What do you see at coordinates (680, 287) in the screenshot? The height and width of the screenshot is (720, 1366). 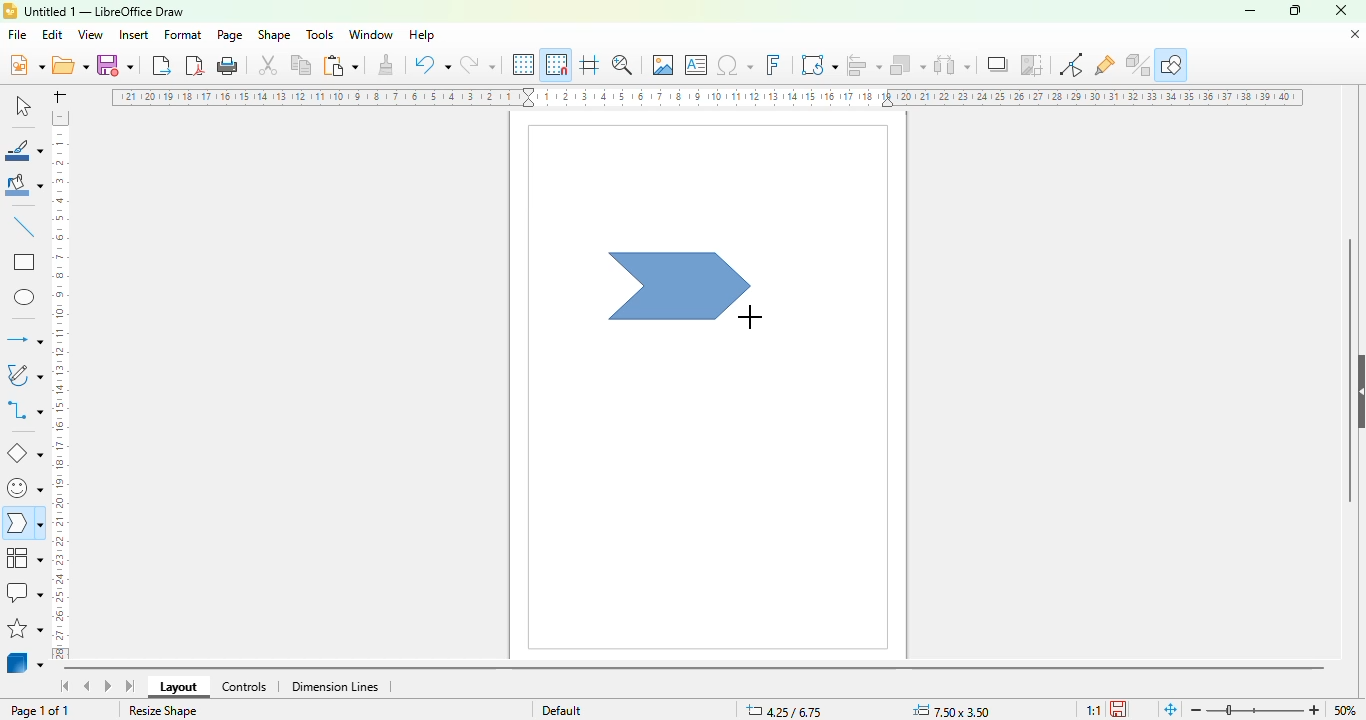 I see `chevron arrow` at bounding box center [680, 287].